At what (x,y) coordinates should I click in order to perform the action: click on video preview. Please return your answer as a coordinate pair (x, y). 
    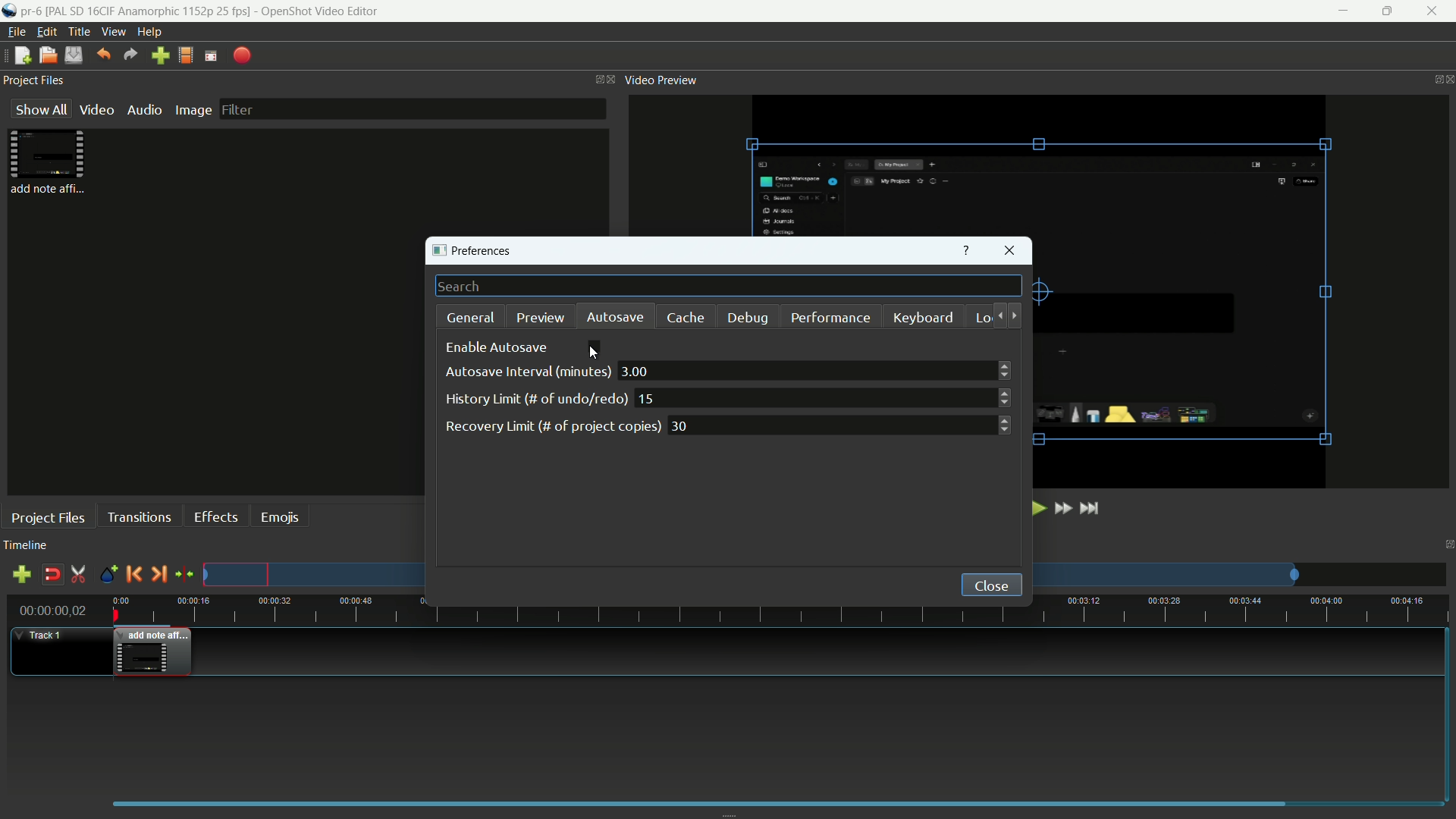
    Looking at the image, I should click on (661, 80).